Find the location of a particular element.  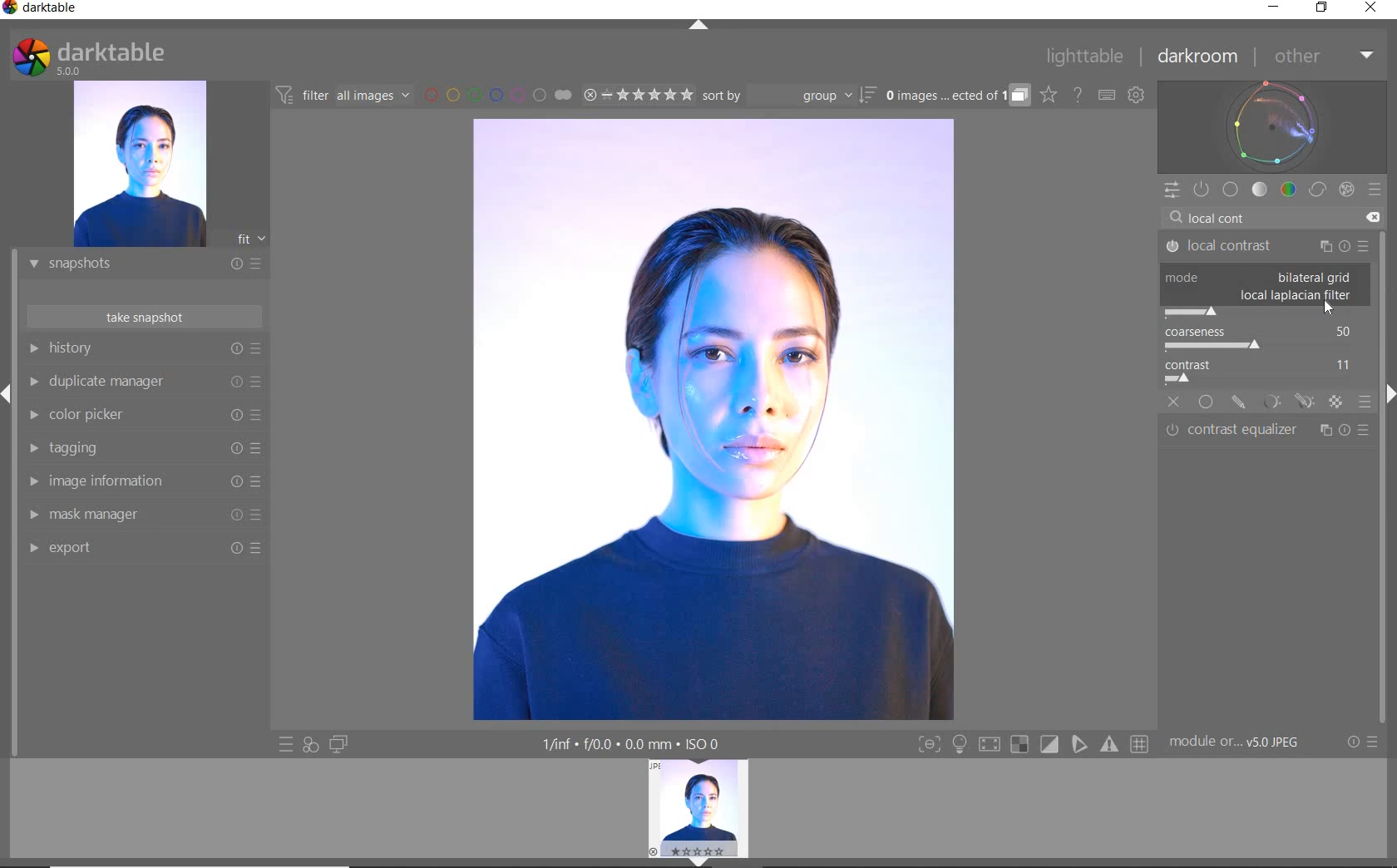

Contrast Equalizer is located at coordinates (1267, 432).